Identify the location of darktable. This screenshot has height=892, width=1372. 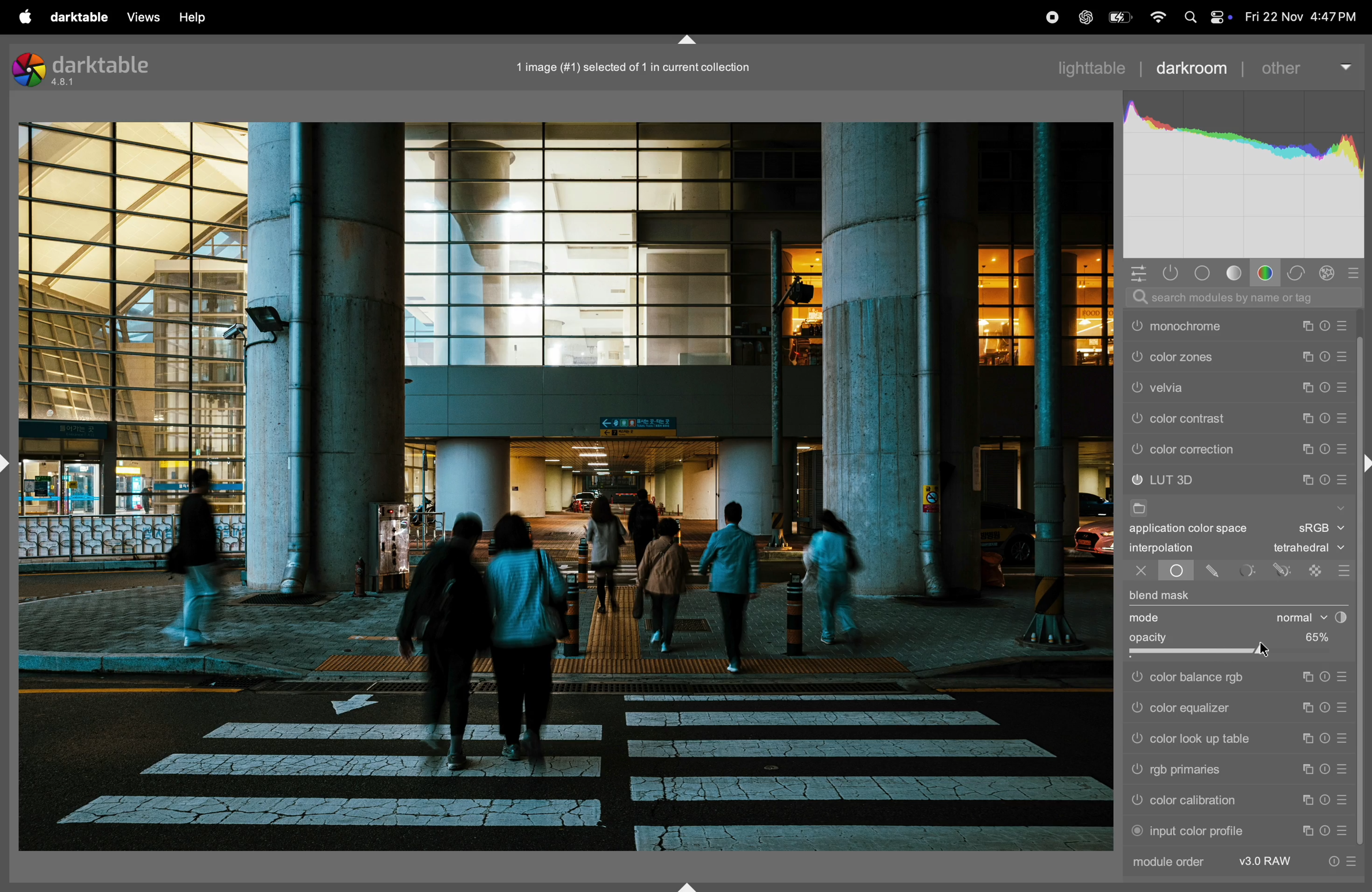
(80, 16).